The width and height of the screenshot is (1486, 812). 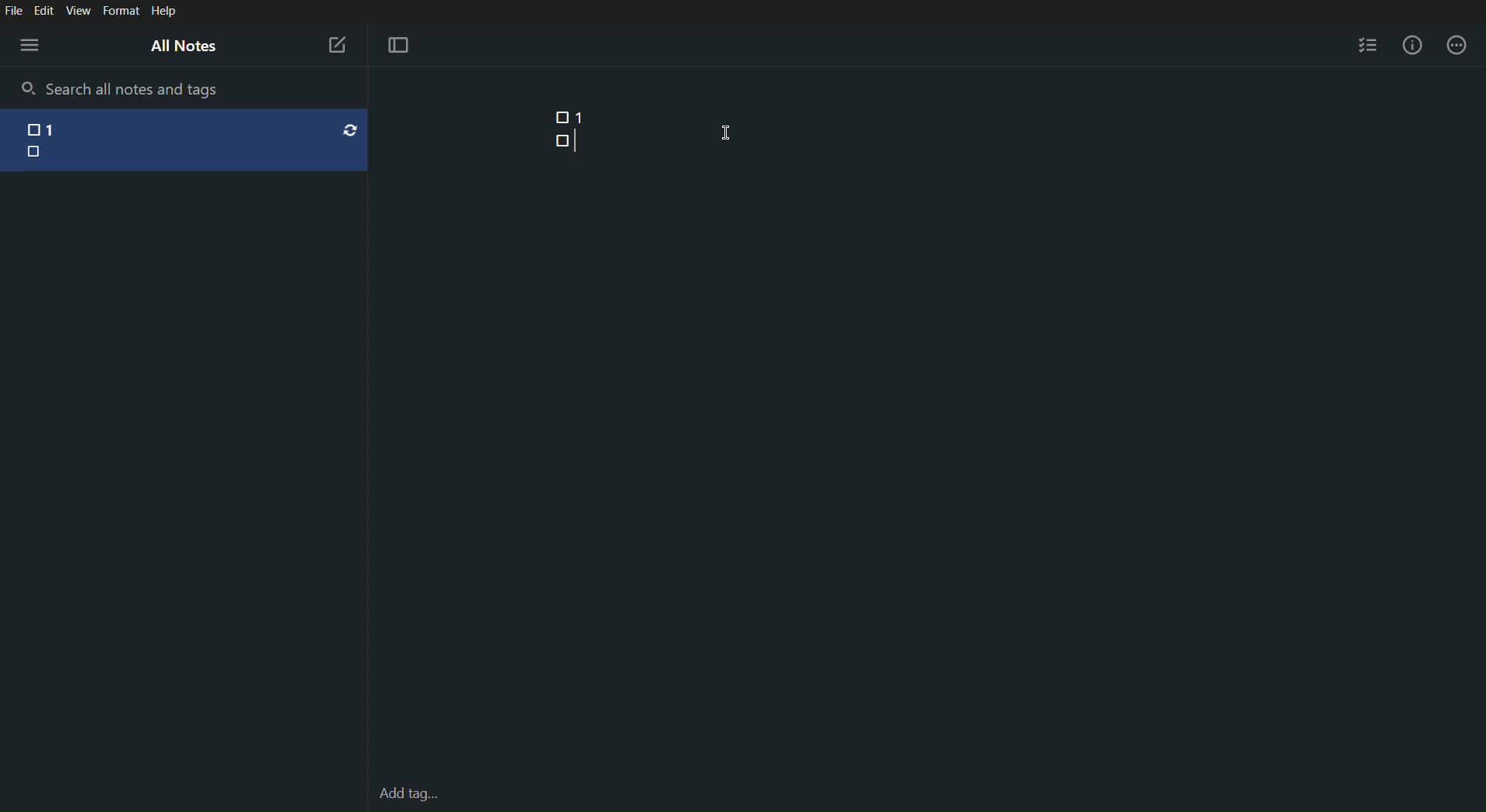 I want to click on Help, so click(x=164, y=12).